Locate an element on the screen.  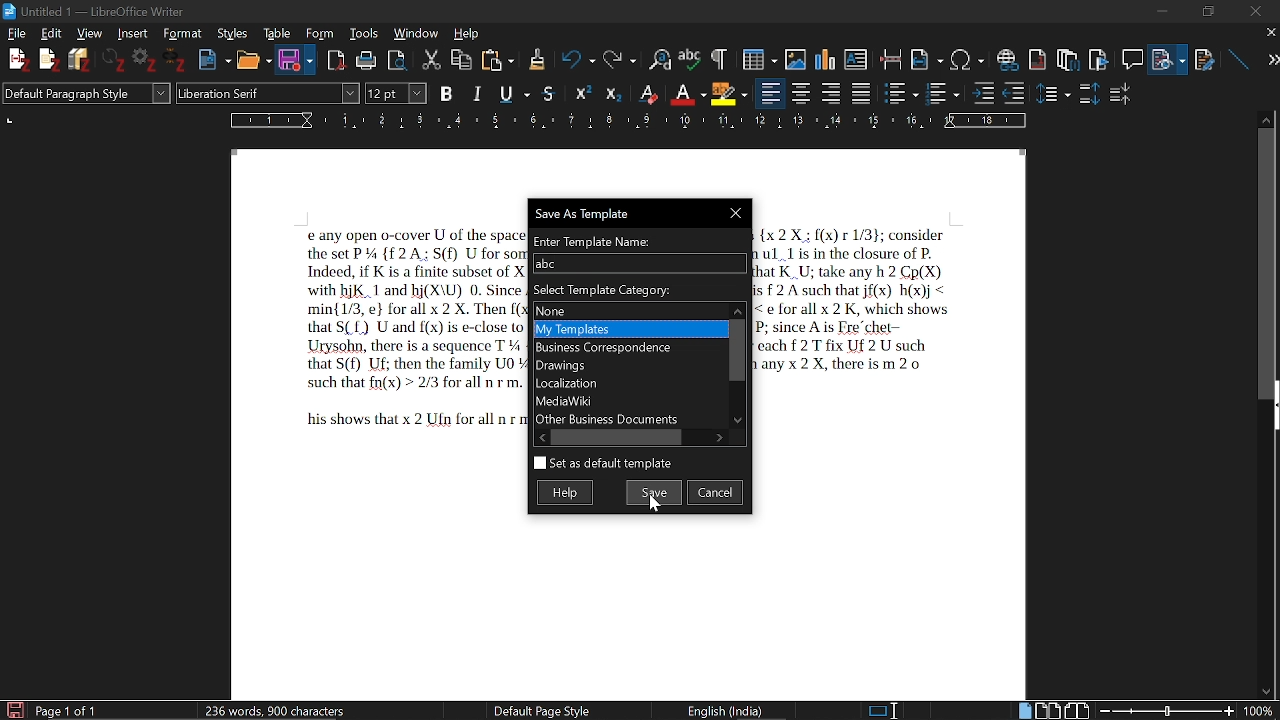
Select Template category is located at coordinates (637, 287).